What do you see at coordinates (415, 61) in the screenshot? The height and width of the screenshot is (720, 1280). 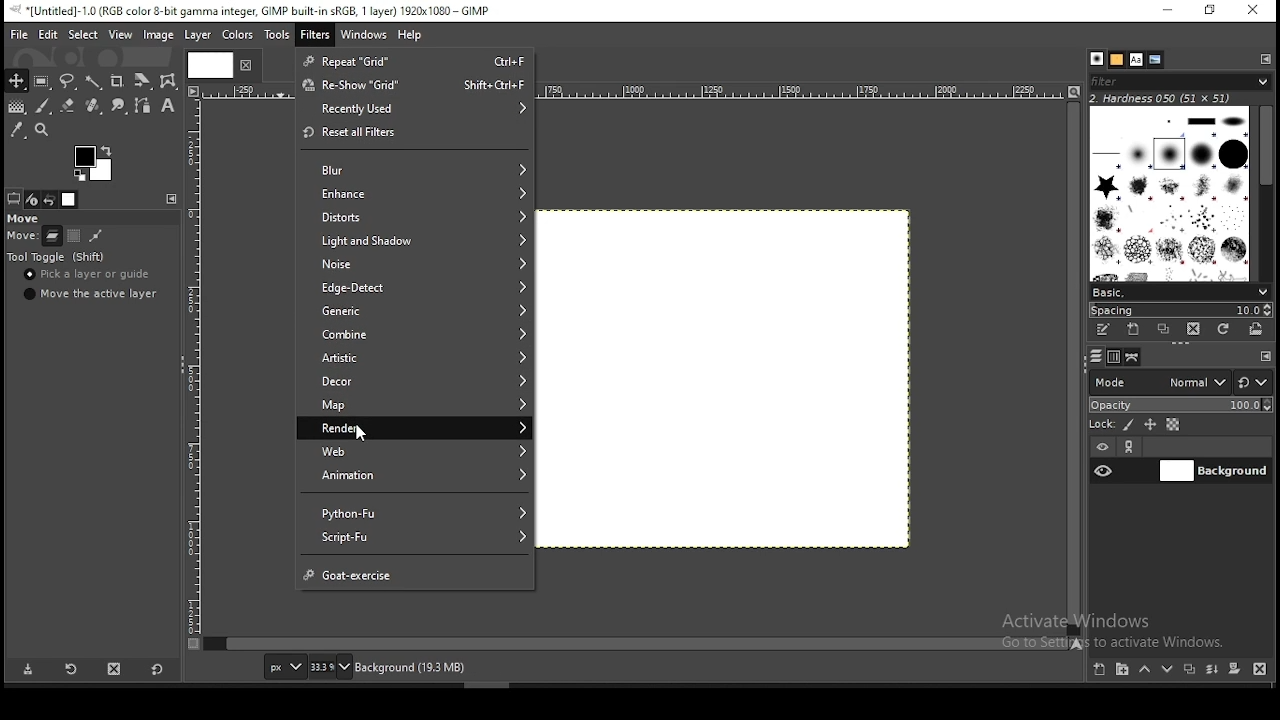 I see `repeat ` at bounding box center [415, 61].